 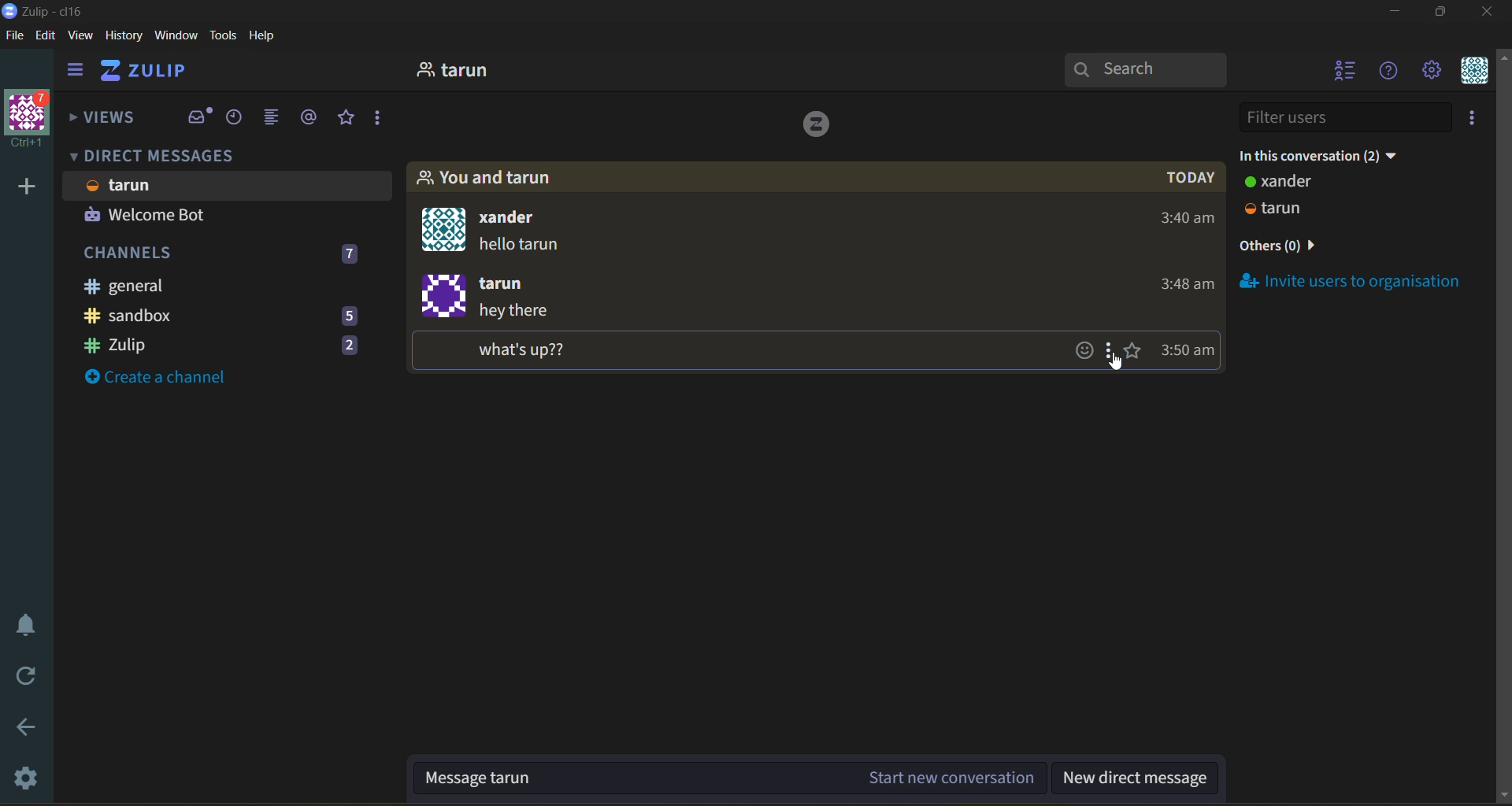 What do you see at coordinates (166, 72) in the screenshot?
I see `home view` at bounding box center [166, 72].